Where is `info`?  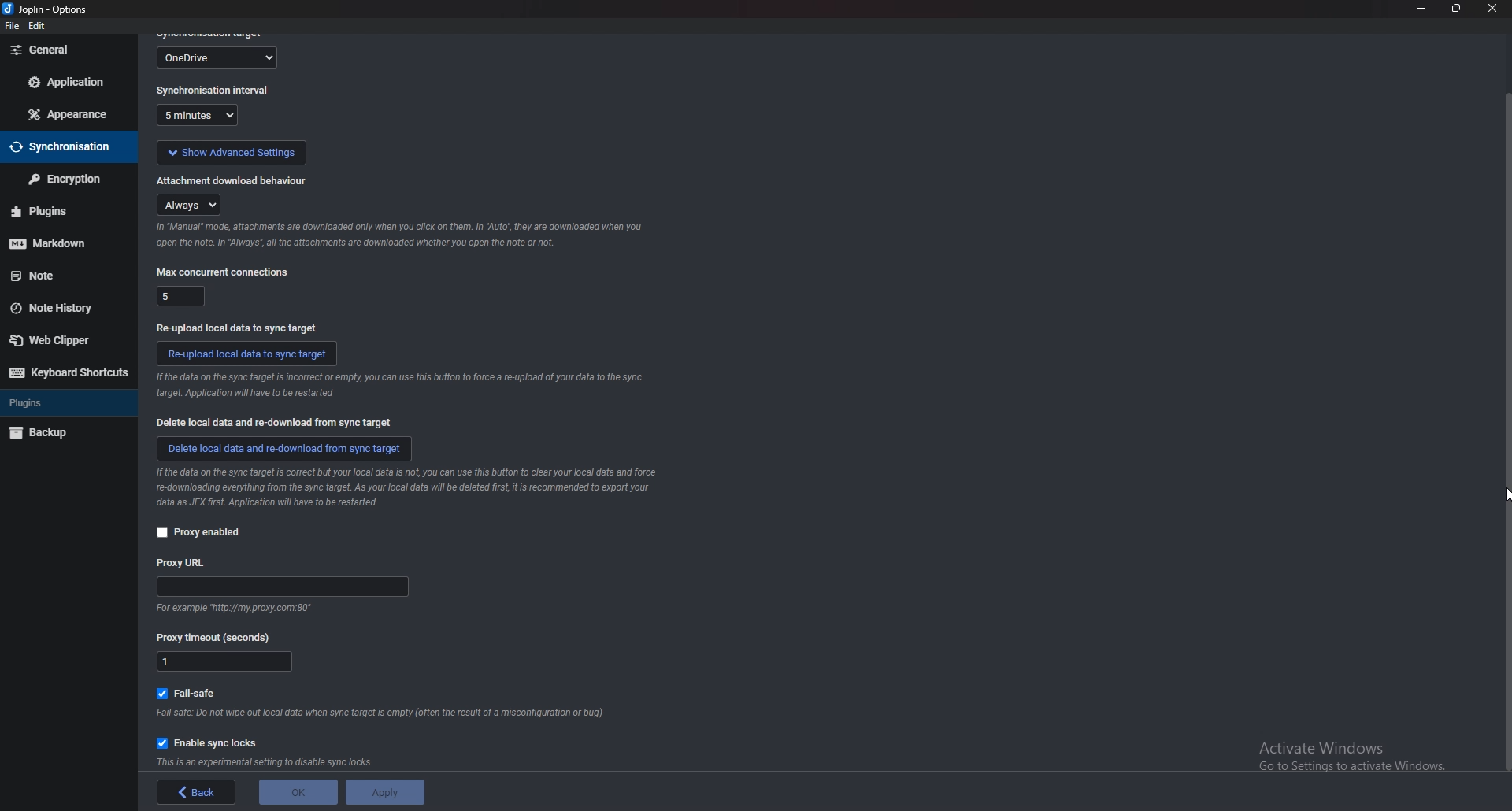 info is located at coordinates (266, 762).